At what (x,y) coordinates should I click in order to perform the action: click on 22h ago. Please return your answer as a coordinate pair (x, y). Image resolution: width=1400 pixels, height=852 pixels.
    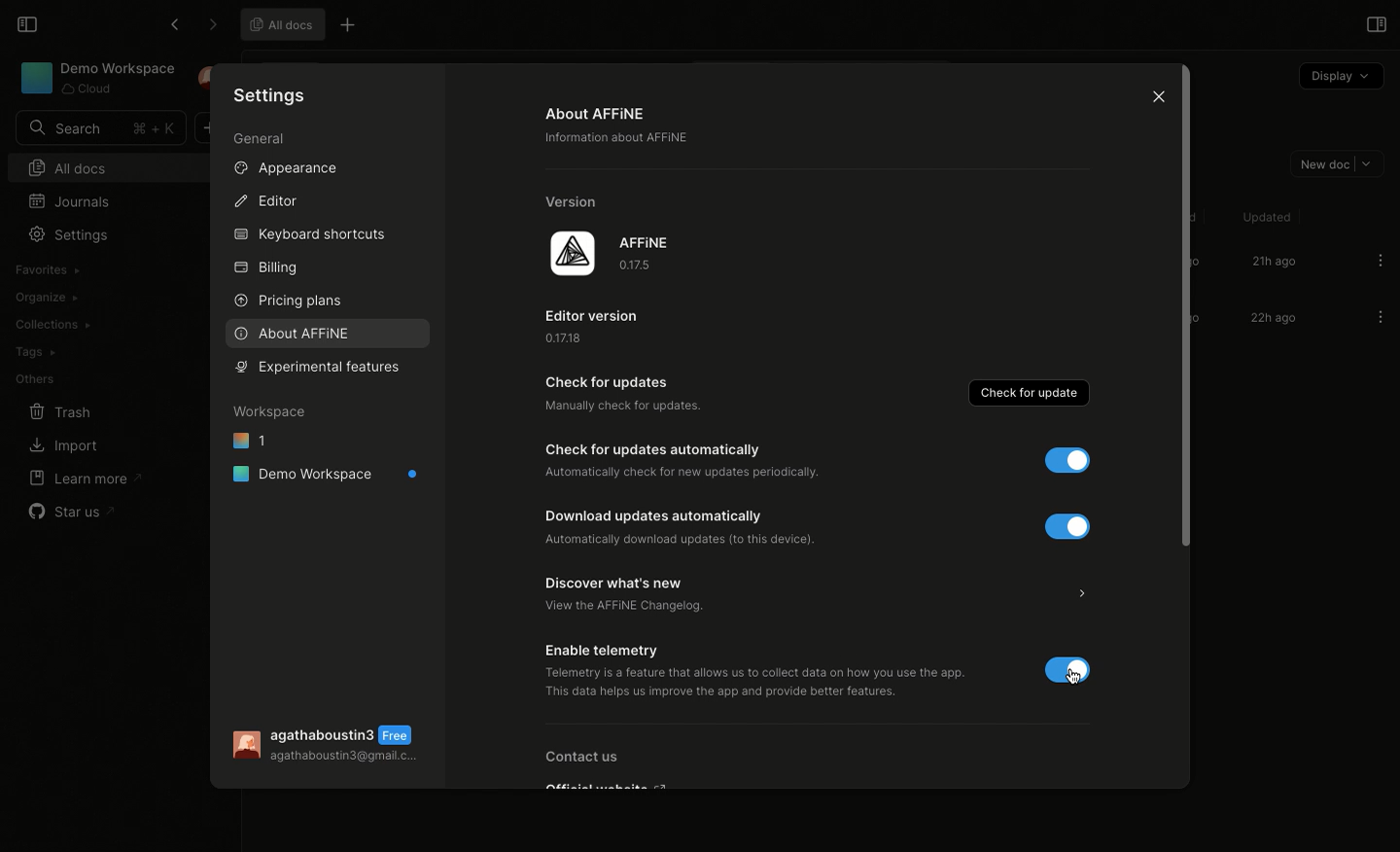
    Looking at the image, I should click on (1271, 320).